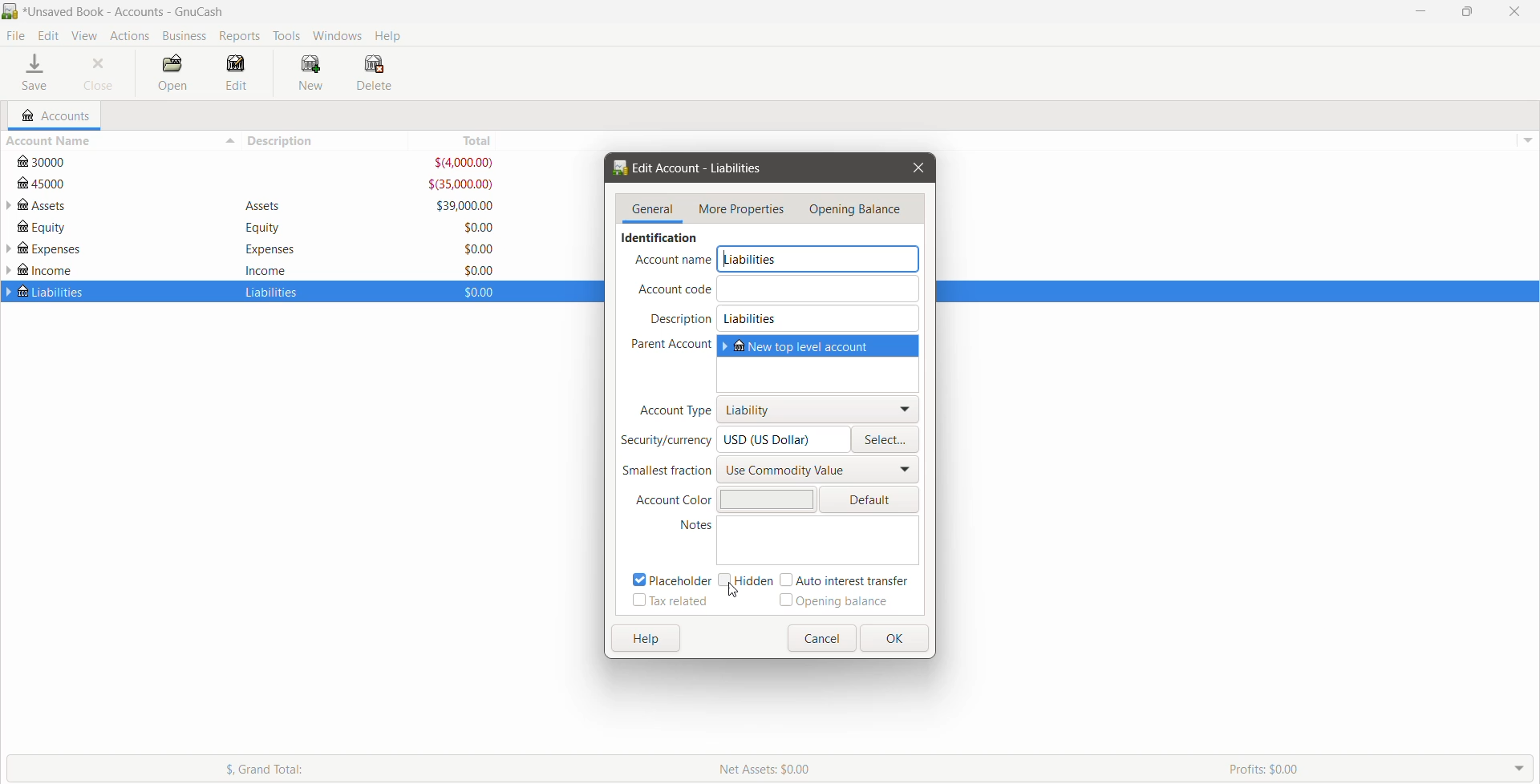 The width and height of the screenshot is (1540, 784). I want to click on Edit Account - Liabilities, so click(694, 168).